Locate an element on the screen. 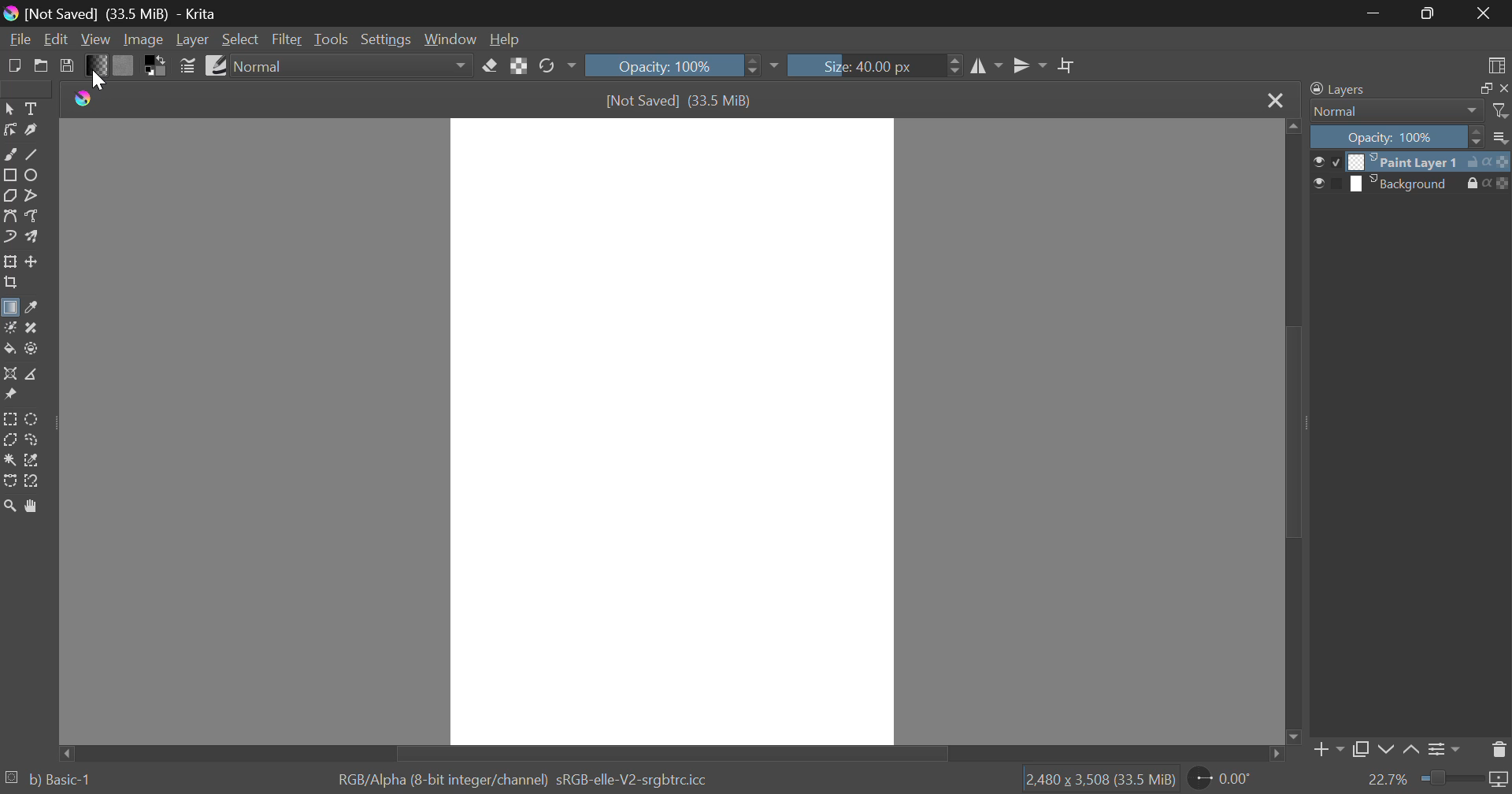 The width and height of the screenshot is (1512, 794). Colorize Mask Tool is located at coordinates (9, 328).